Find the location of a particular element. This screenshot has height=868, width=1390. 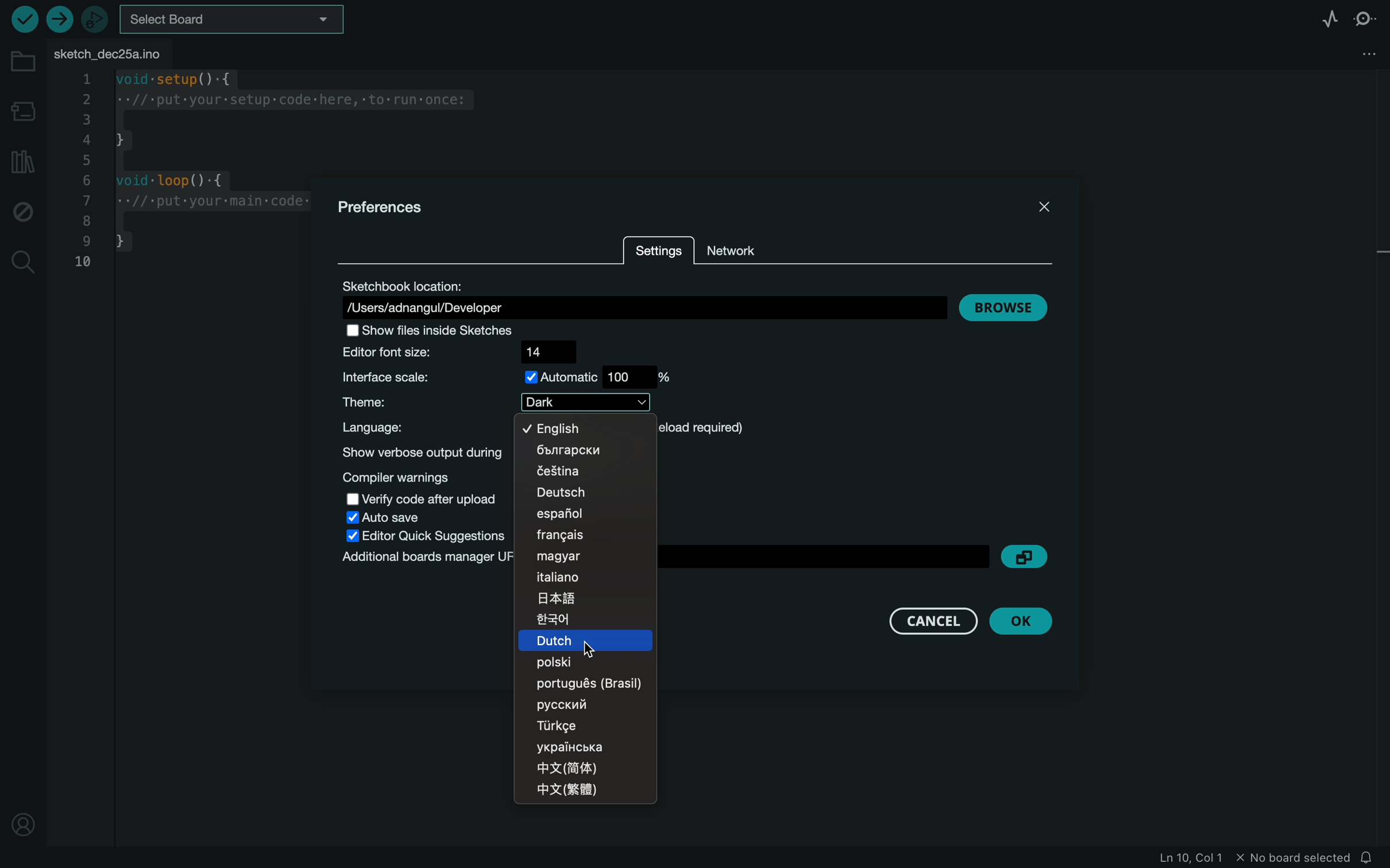

browse is located at coordinates (1003, 305).